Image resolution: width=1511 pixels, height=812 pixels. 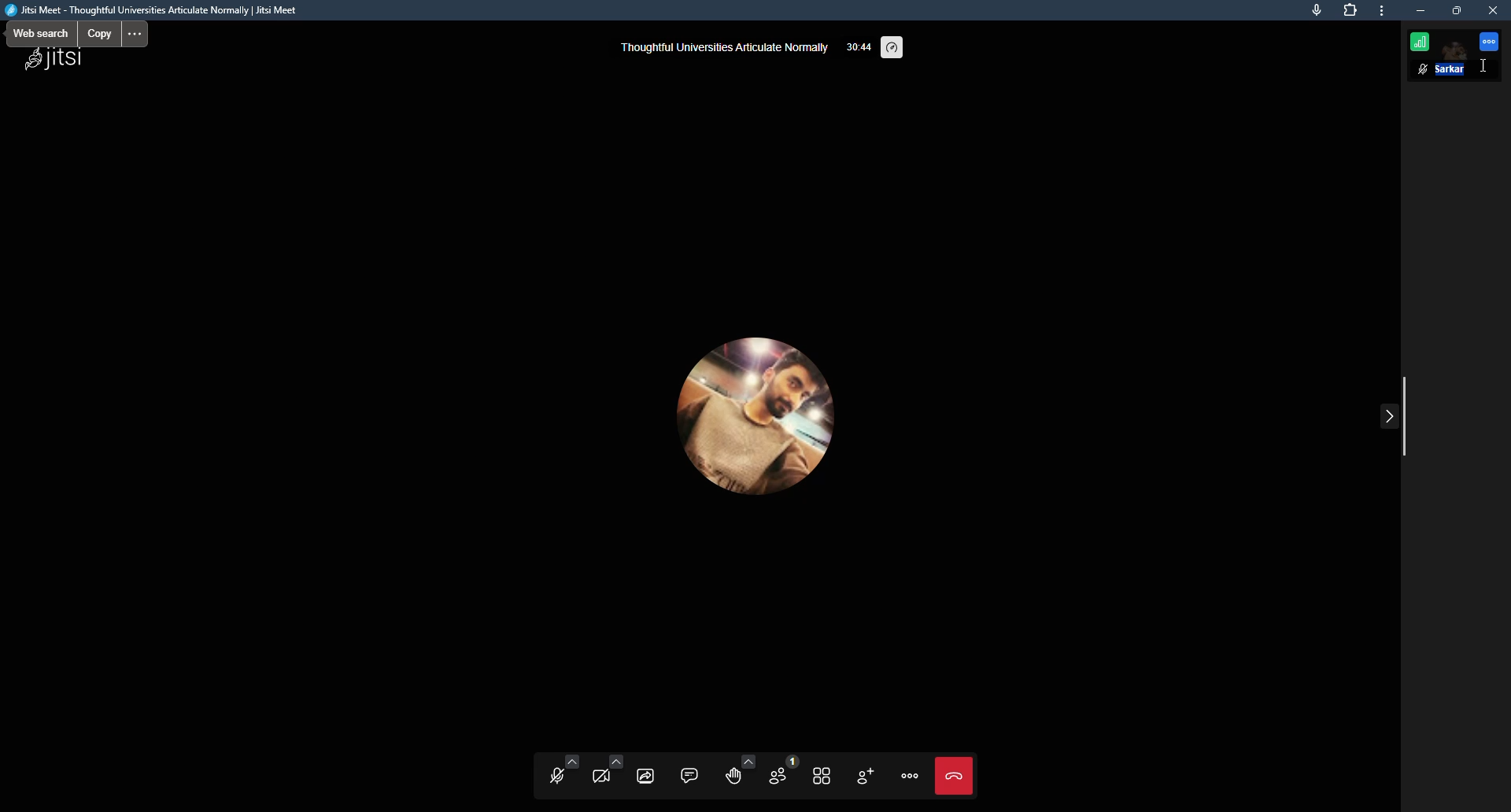 What do you see at coordinates (822, 775) in the screenshot?
I see `toggle title view` at bounding box center [822, 775].